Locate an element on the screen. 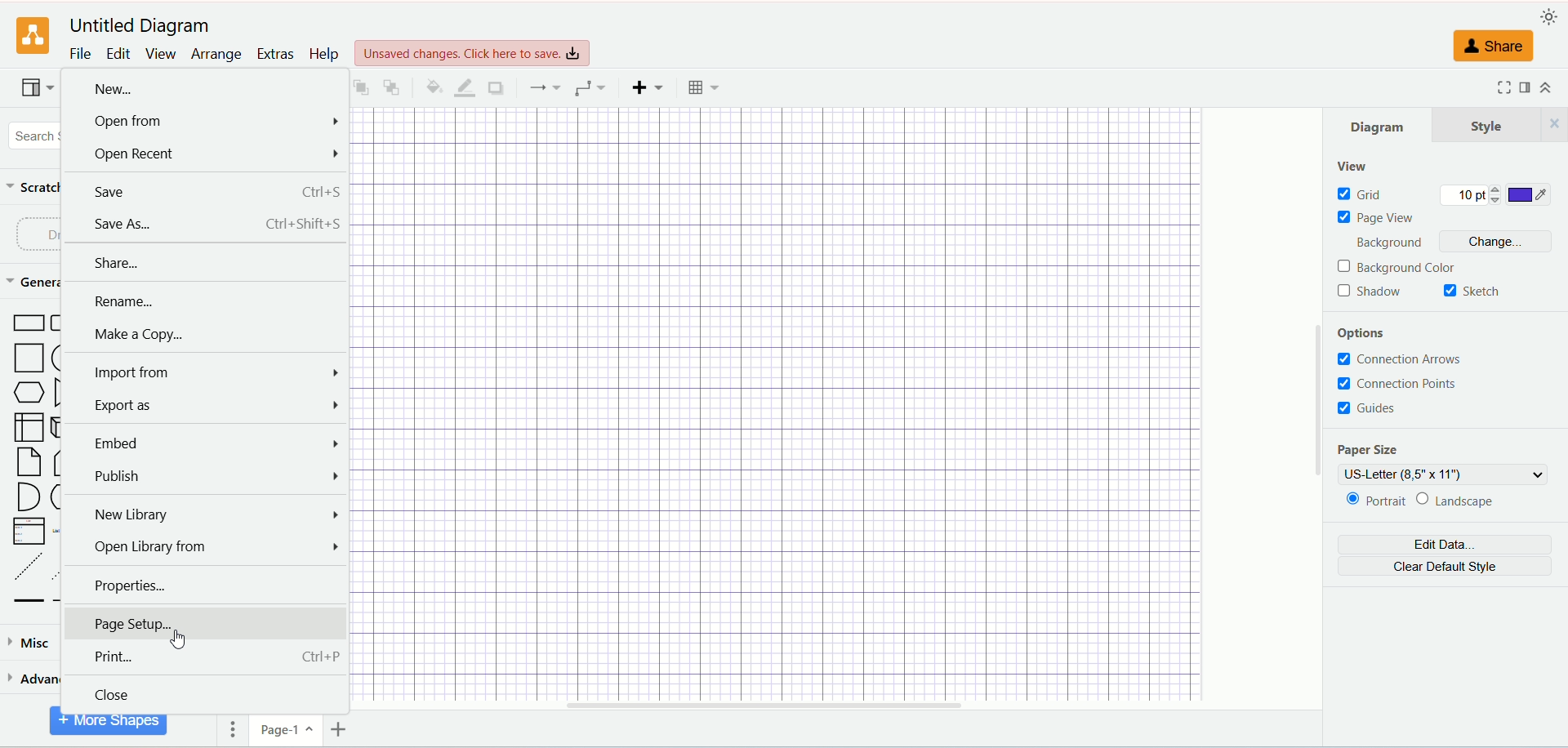 This screenshot has height=748, width=1568. sketch is located at coordinates (1472, 292).